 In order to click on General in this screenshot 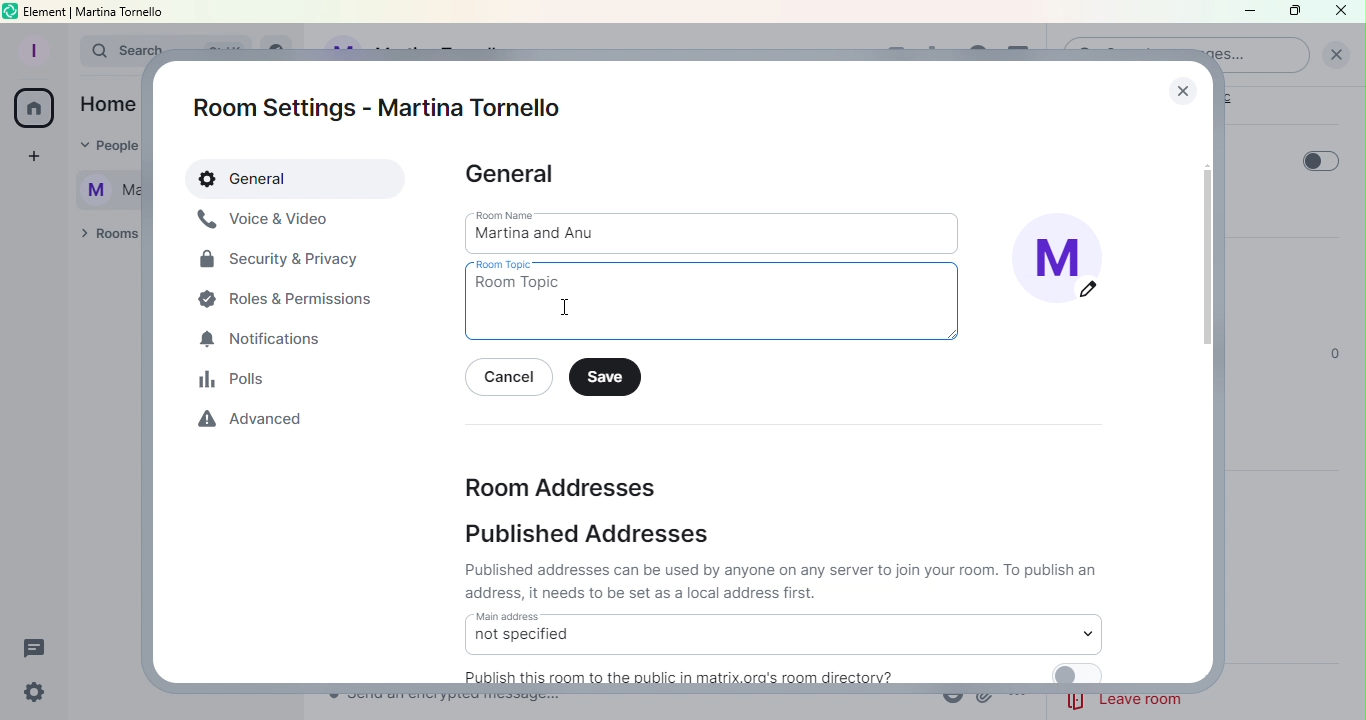, I will do `click(298, 180)`.